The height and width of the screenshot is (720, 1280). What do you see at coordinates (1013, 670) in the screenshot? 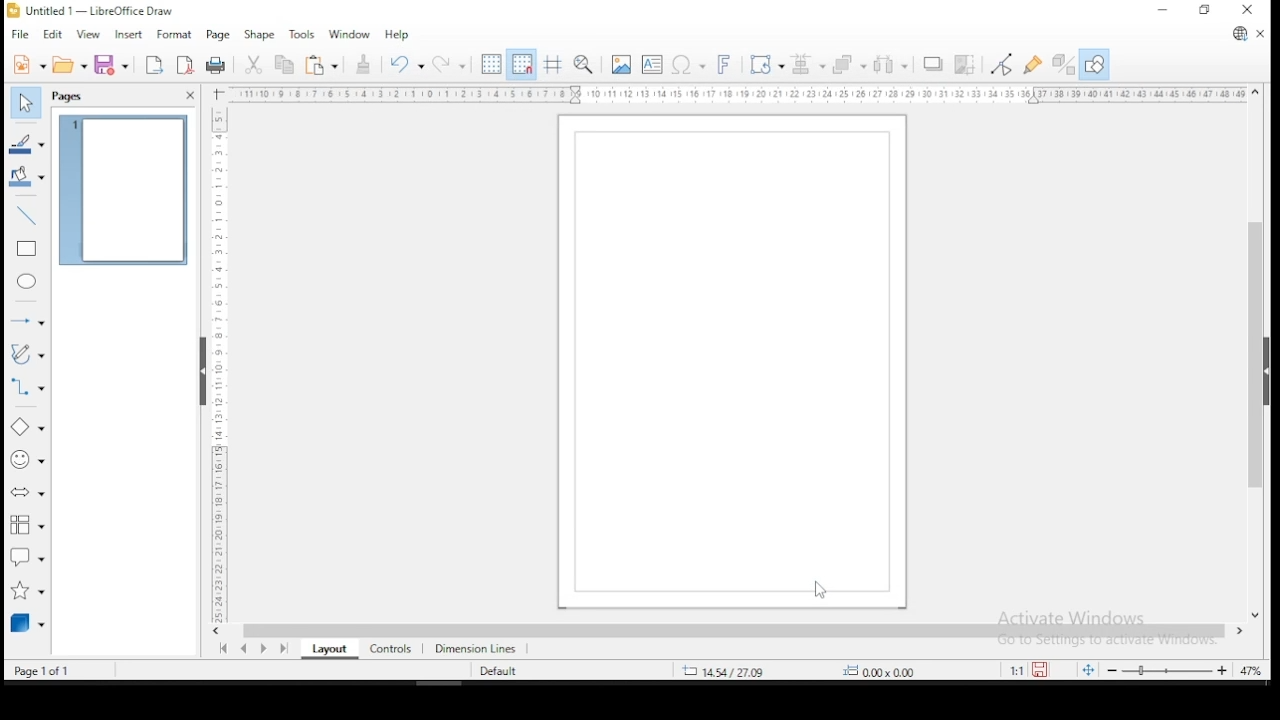
I see `1:1` at bounding box center [1013, 670].